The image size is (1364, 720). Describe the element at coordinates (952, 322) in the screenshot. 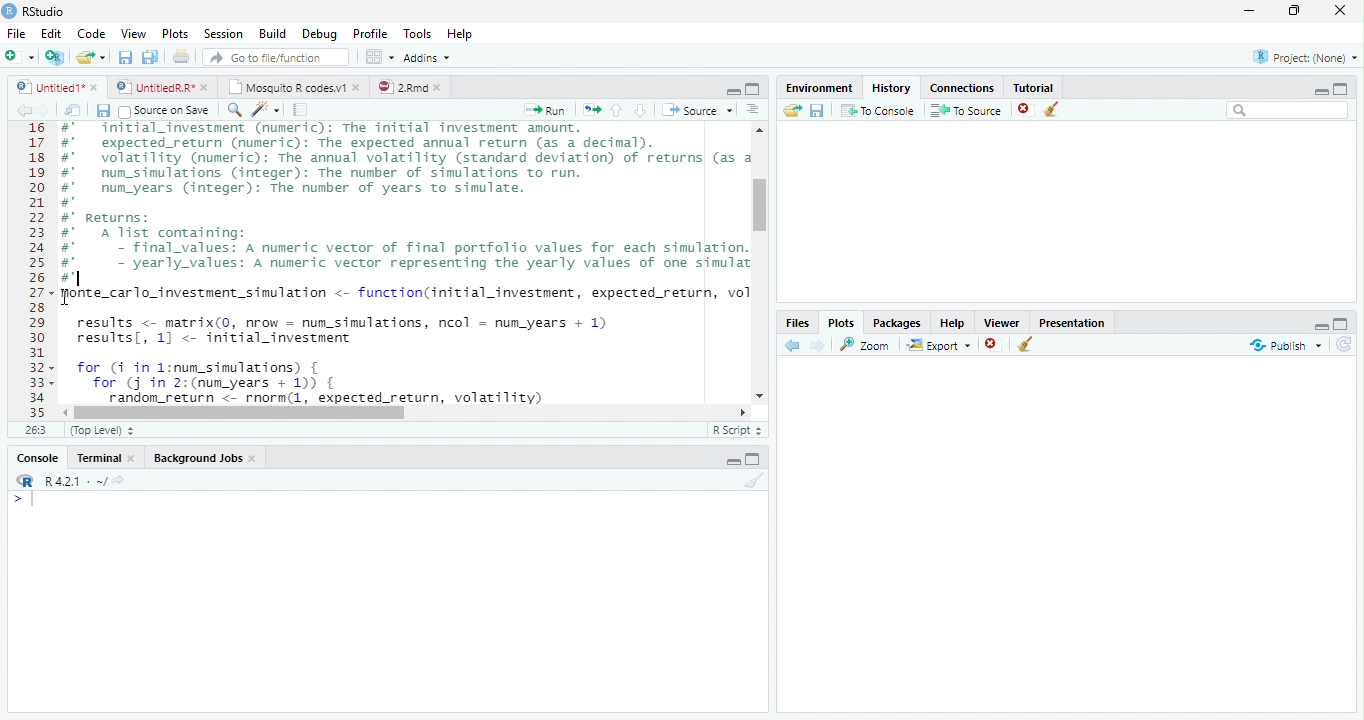

I see `Help` at that location.